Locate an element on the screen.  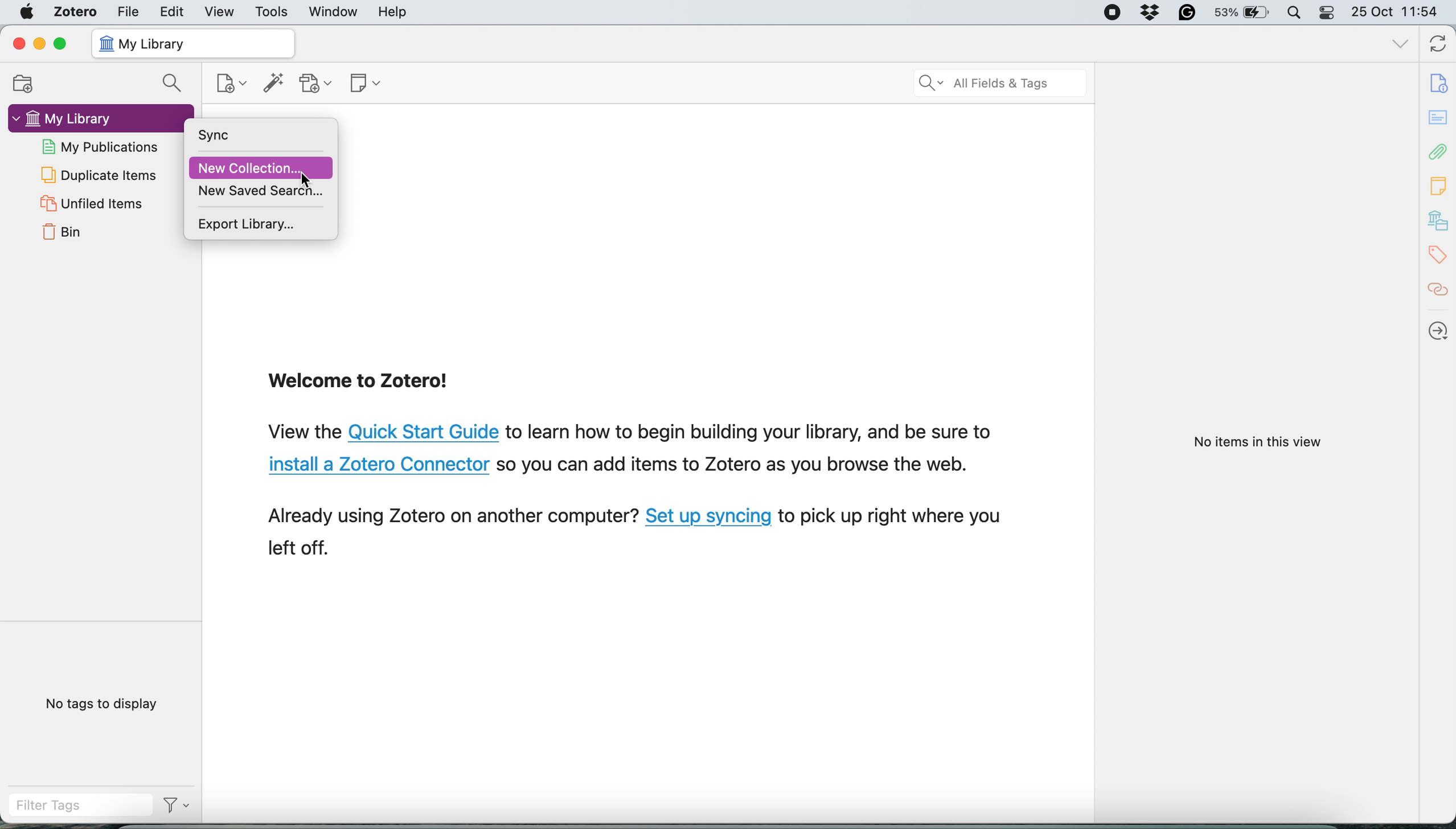
attachments is located at coordinates (1438, 153).